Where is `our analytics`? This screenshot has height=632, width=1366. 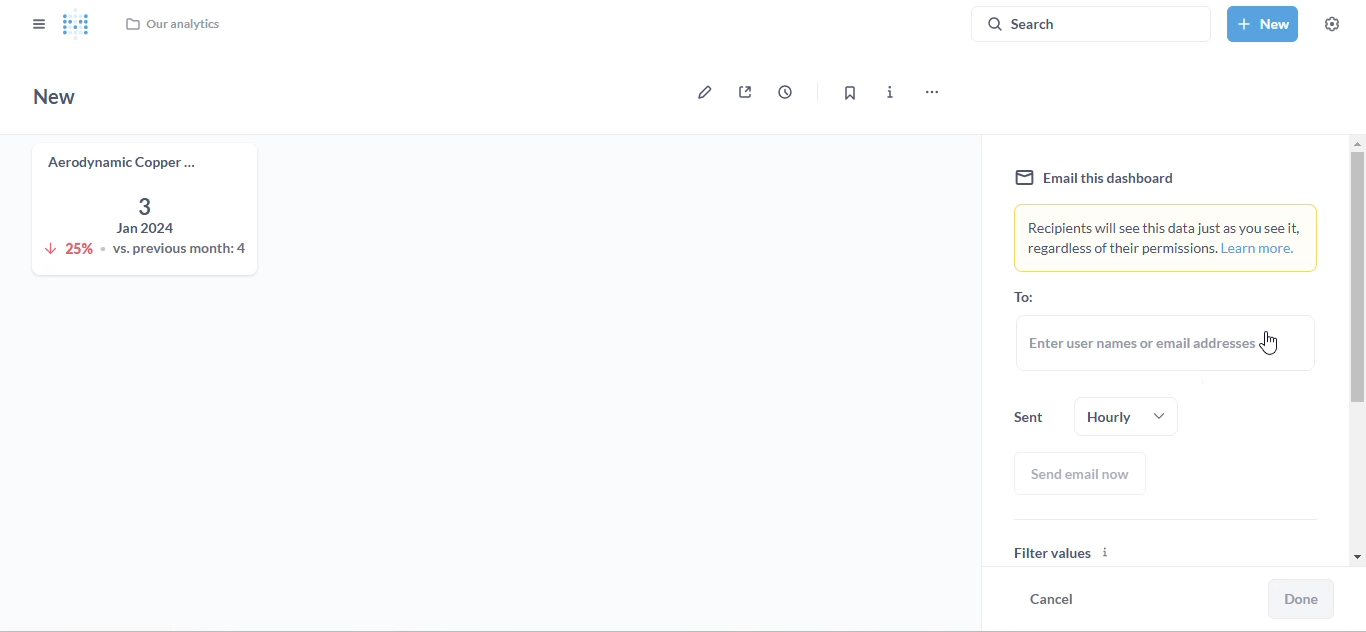
our analytics is located at coordinates (172, 24).